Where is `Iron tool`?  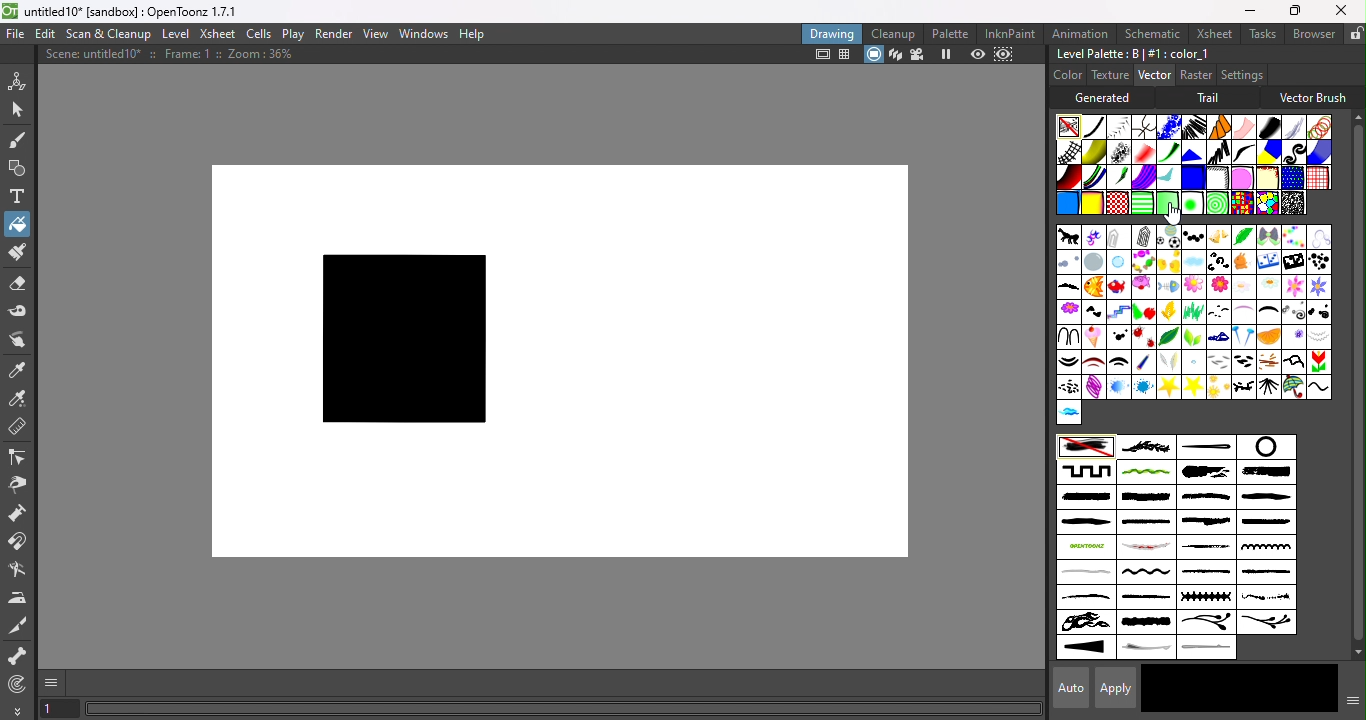 Iron tool is located at coordinates (19, 598).